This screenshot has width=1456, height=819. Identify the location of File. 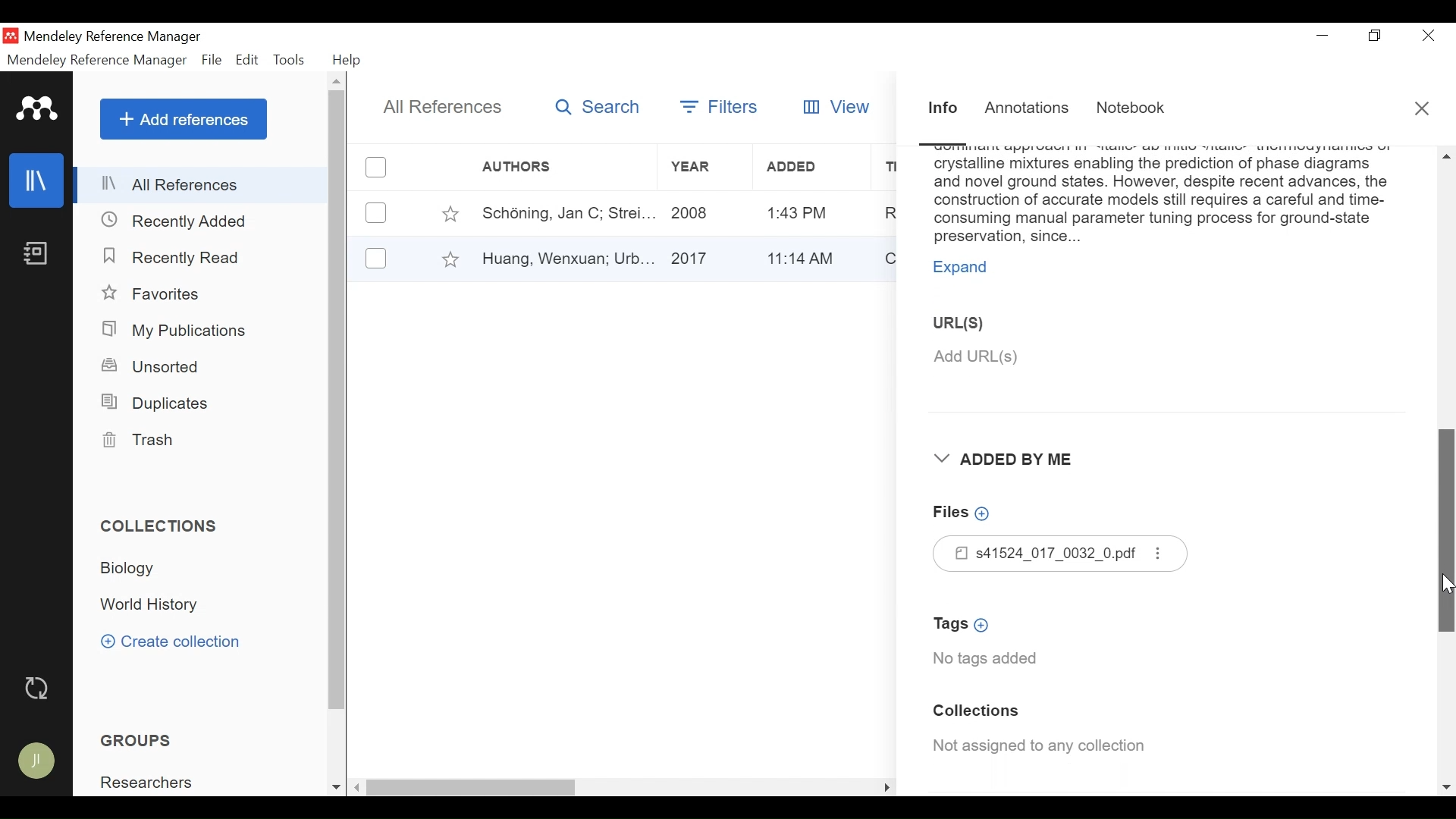
(212, 61).